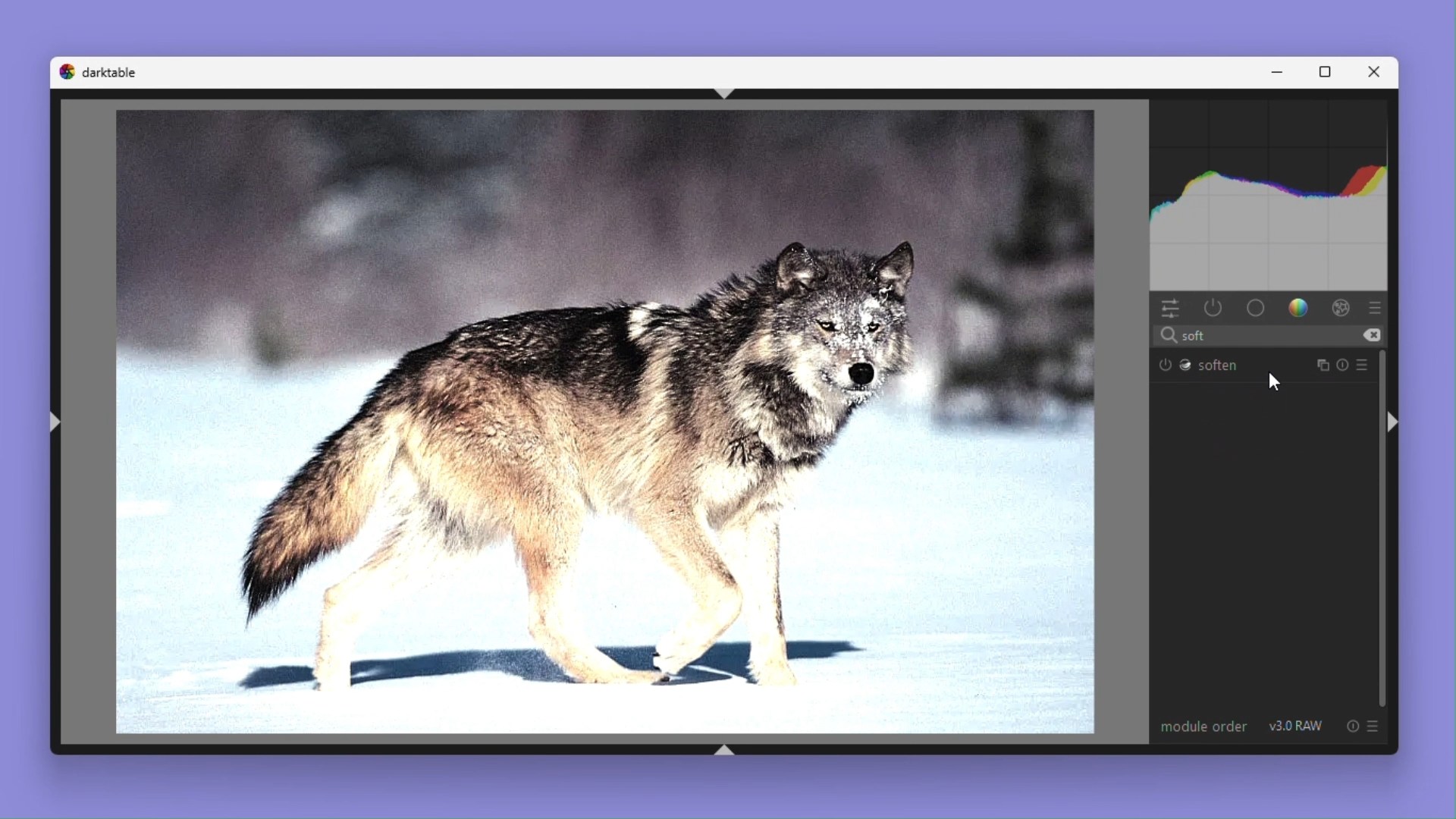  What do you see at coordinates (1374, 725) in the screenshot?
I see `preset ` at bounding box center [1374, 725].